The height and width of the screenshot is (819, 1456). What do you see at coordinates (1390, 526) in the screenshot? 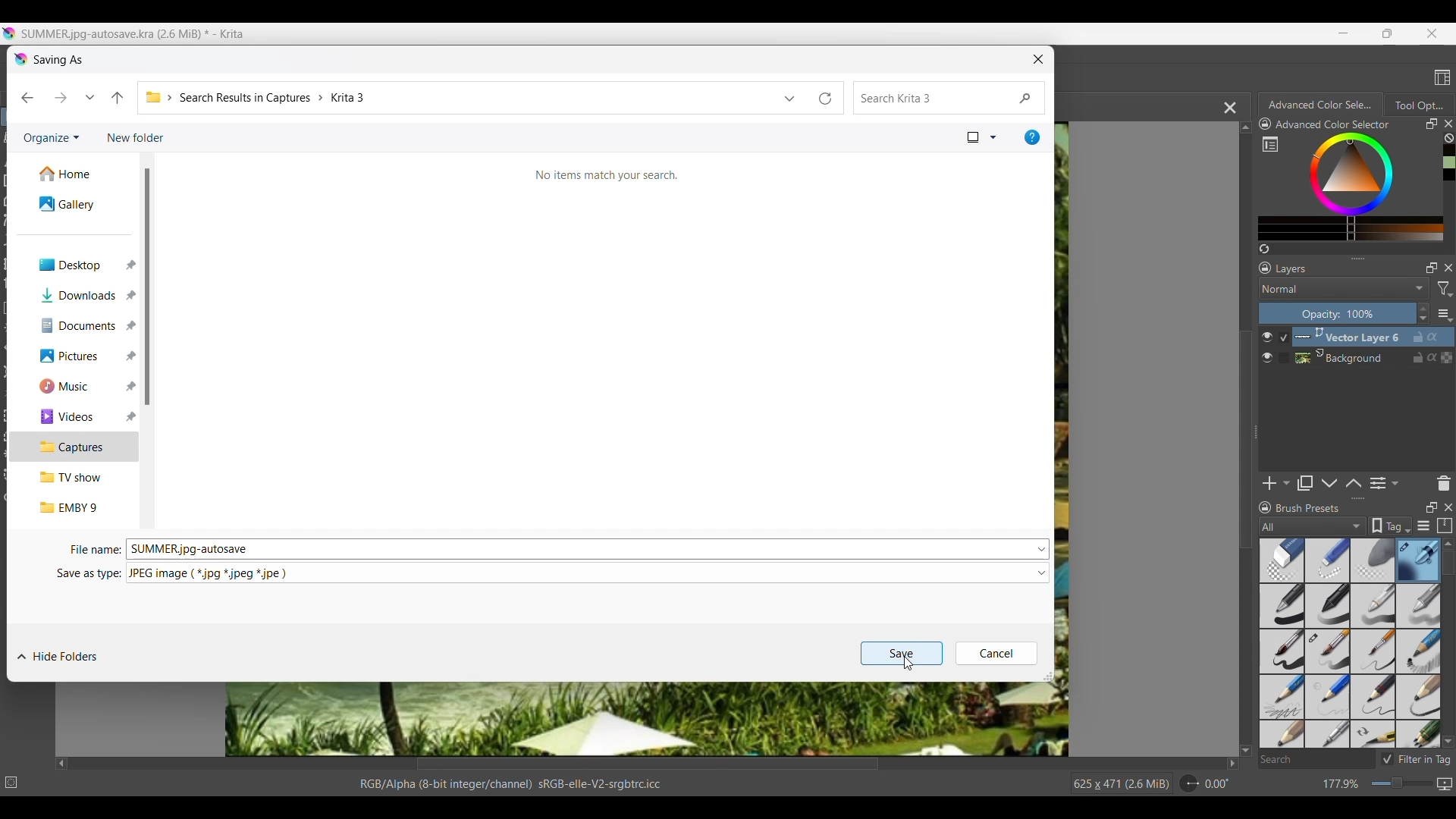
I see `Show the tag box options` at bounding box center [1390, 526].